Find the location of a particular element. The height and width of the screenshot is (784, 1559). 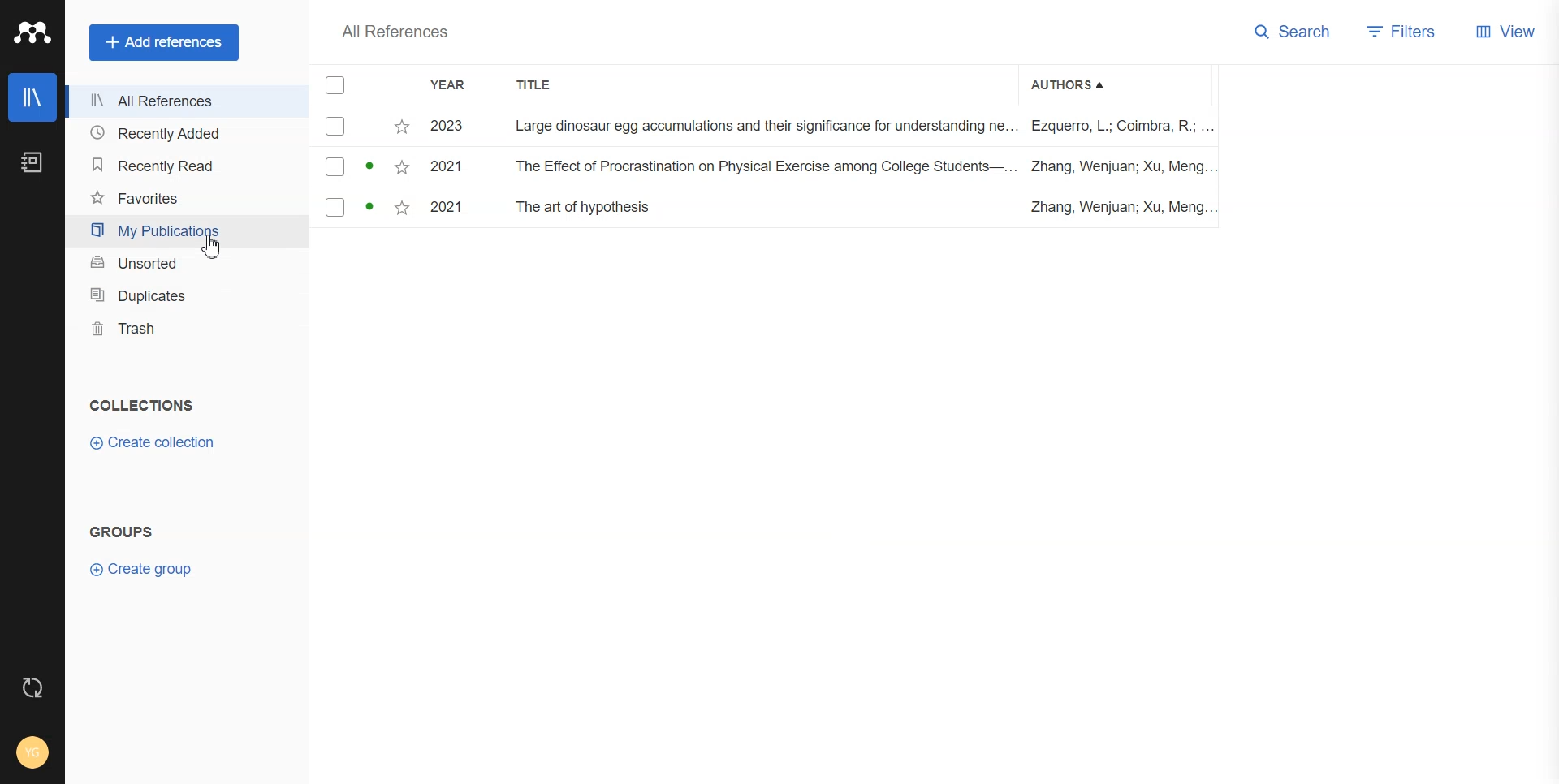

Checkmark is located at coordinates (335, 207).